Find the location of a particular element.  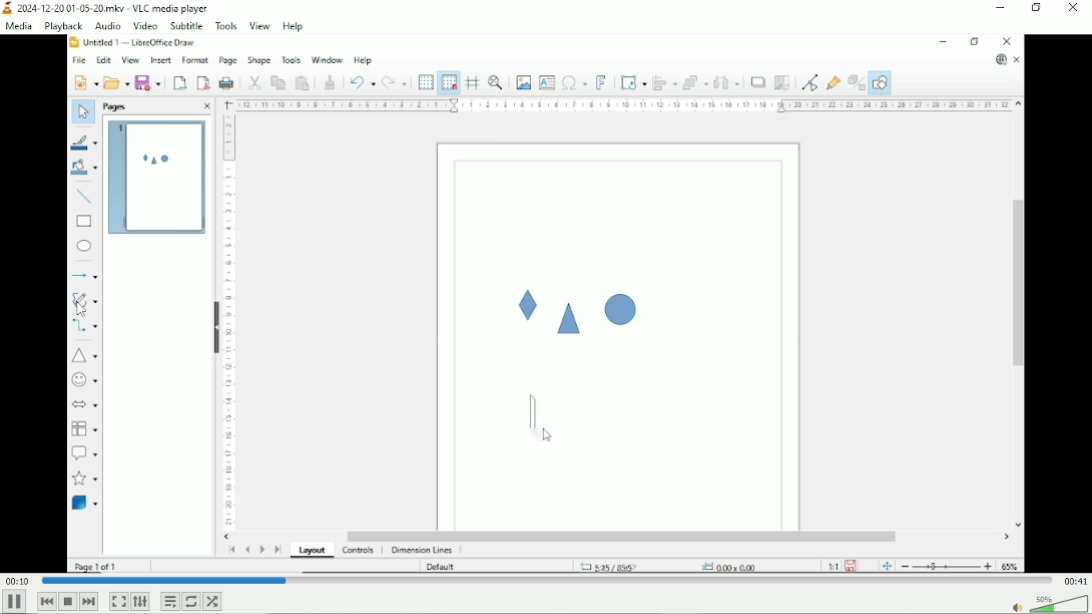

Show extended settings is located at coordinates (140, 601).